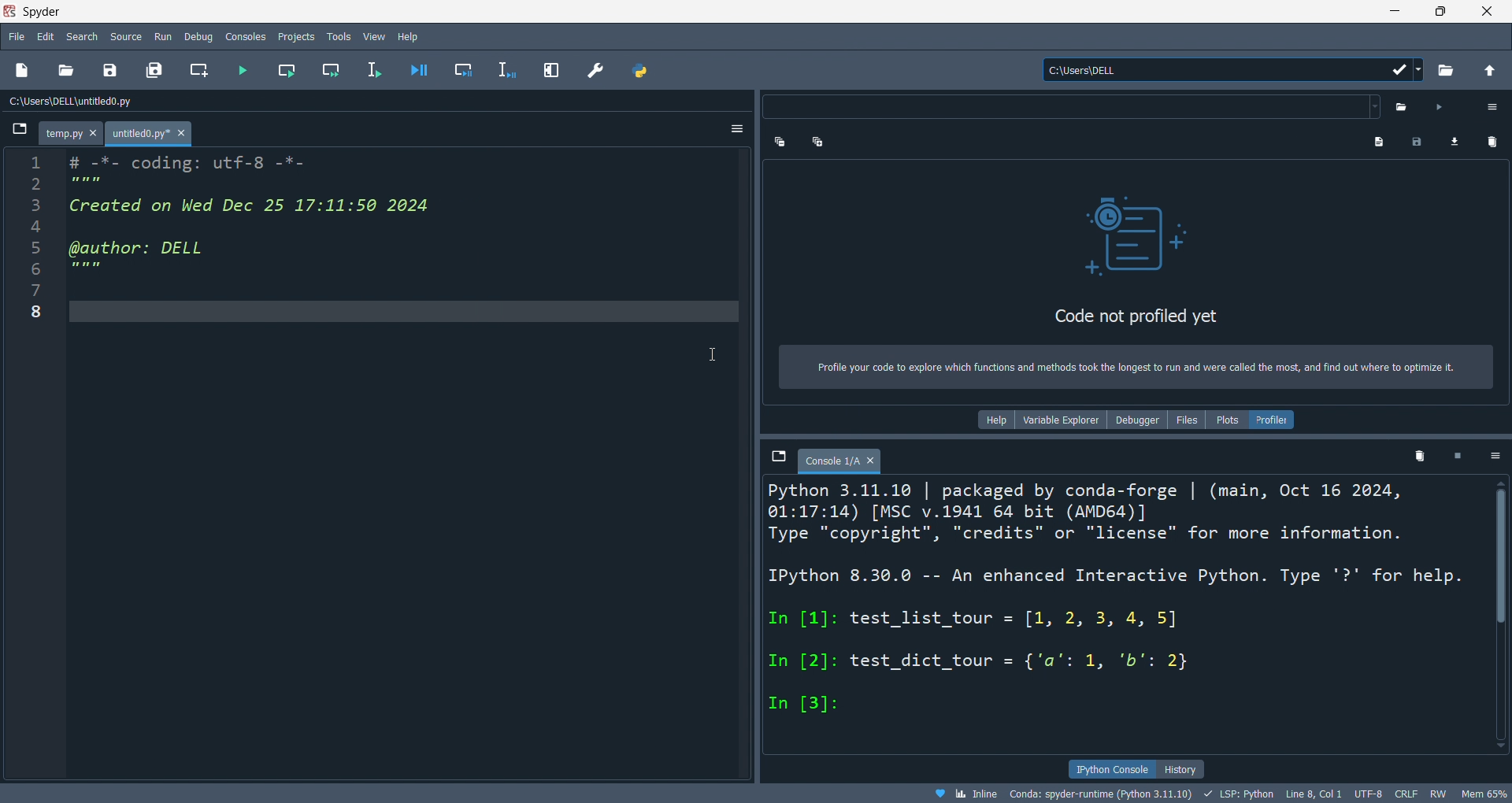  What do you see at coordinates (23, 70) in the screenshot?
I see `new file` at bounding box center [23, 70].